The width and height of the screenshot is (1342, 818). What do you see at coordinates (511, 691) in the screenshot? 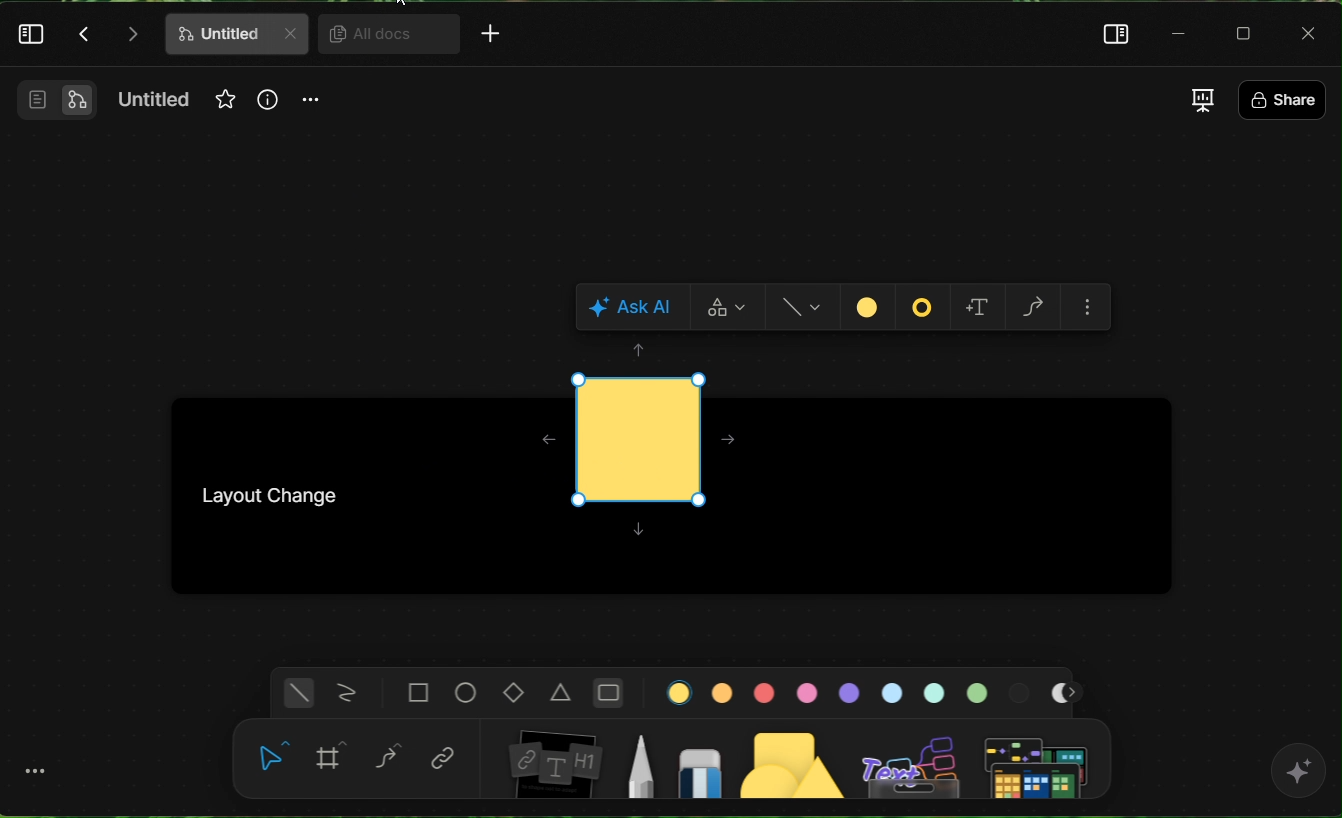
I see `diamond` at bounding box center [511, 691].